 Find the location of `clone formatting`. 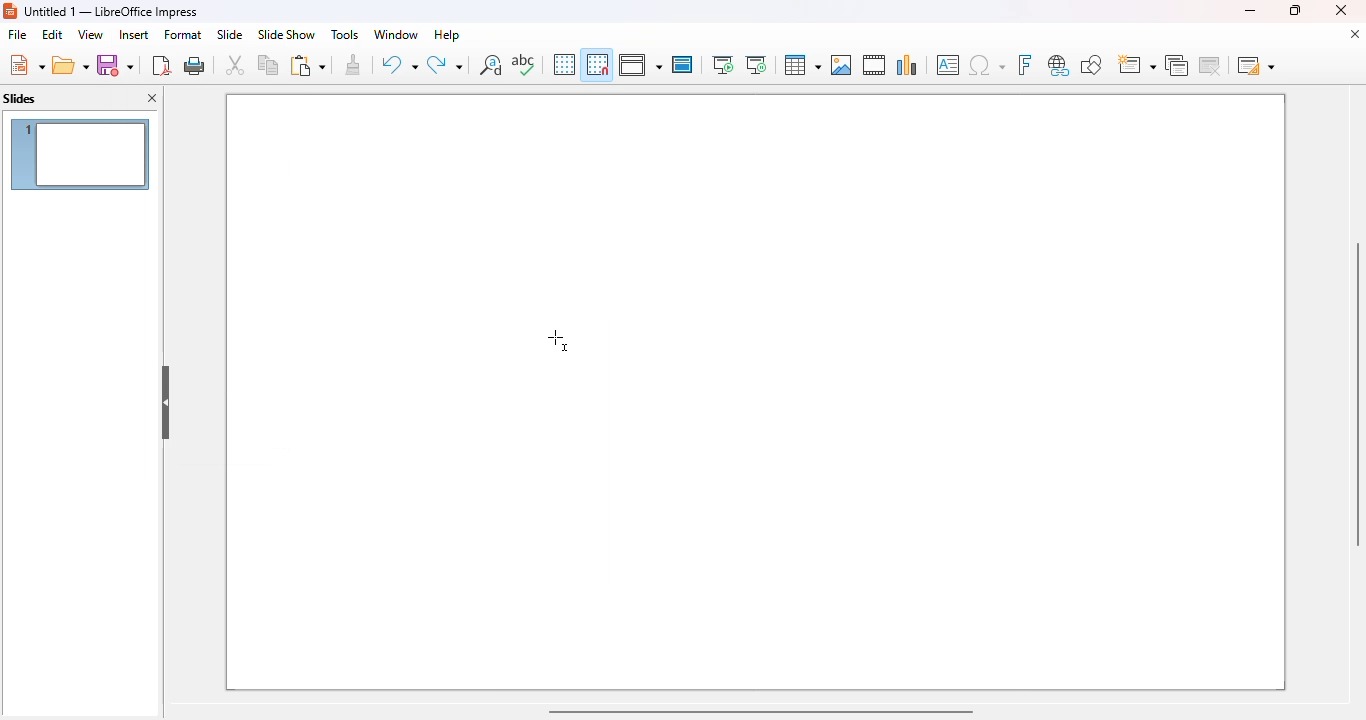

clone formatting is located at coordinates (354, 65).